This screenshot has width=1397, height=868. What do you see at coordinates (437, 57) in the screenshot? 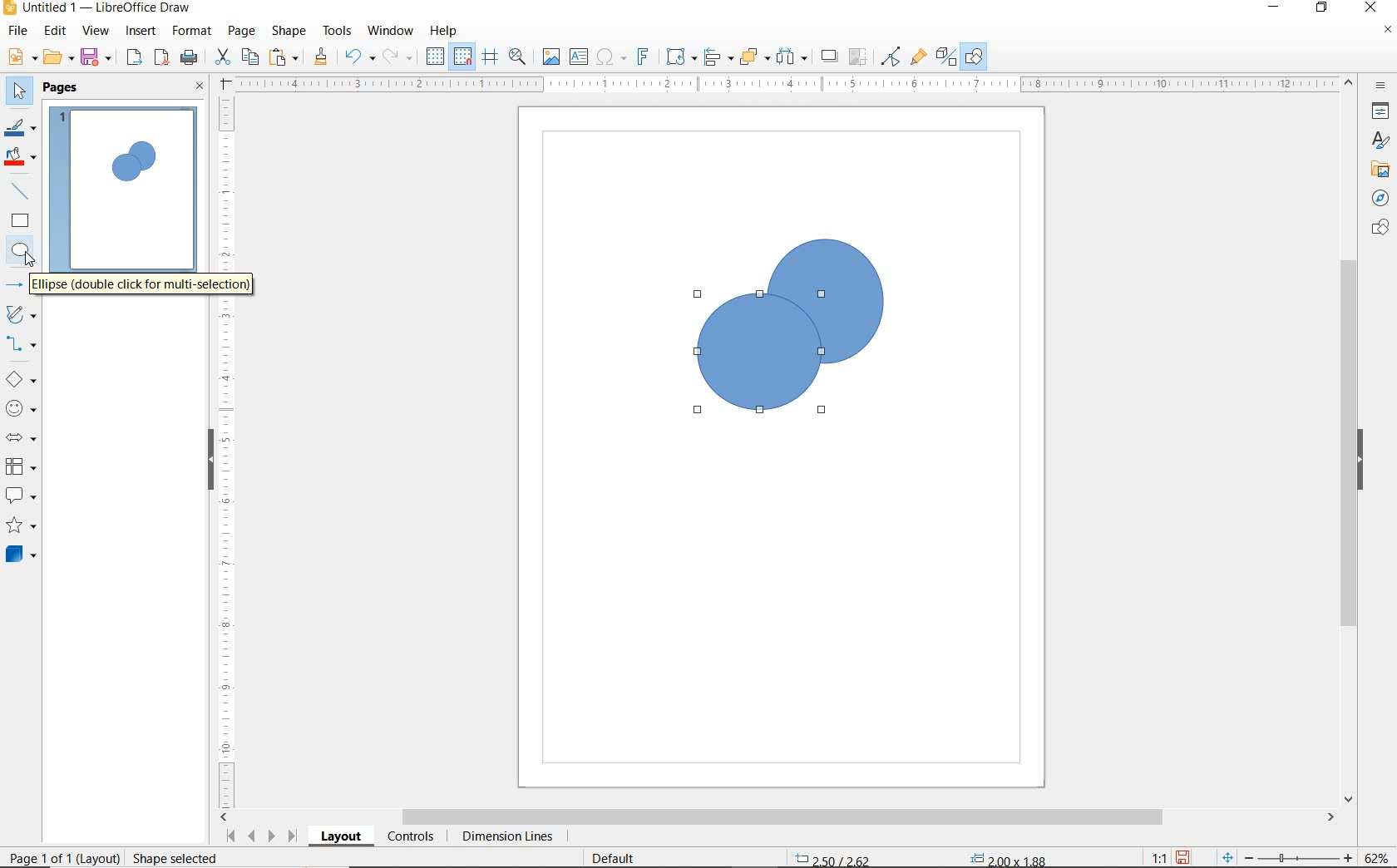
I see `DISPLAY GRID` at bounding box center [437, 57].